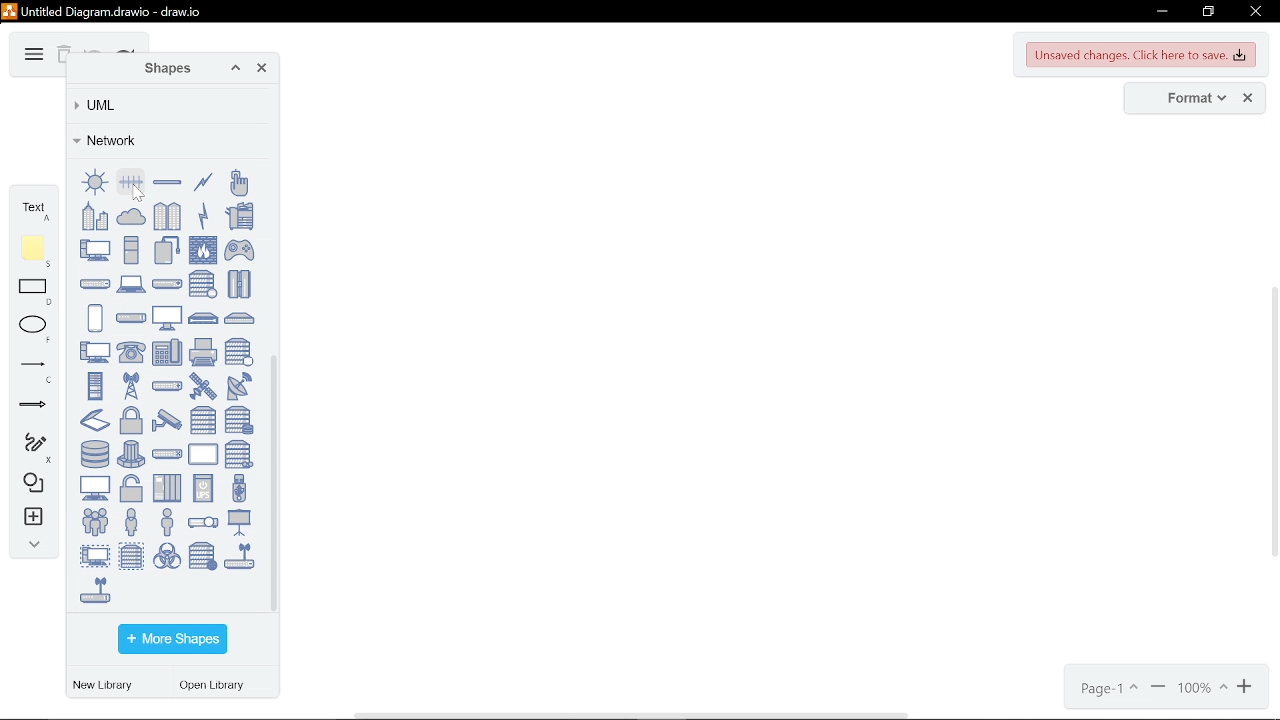  I want to click on virus, so click(167, 555).